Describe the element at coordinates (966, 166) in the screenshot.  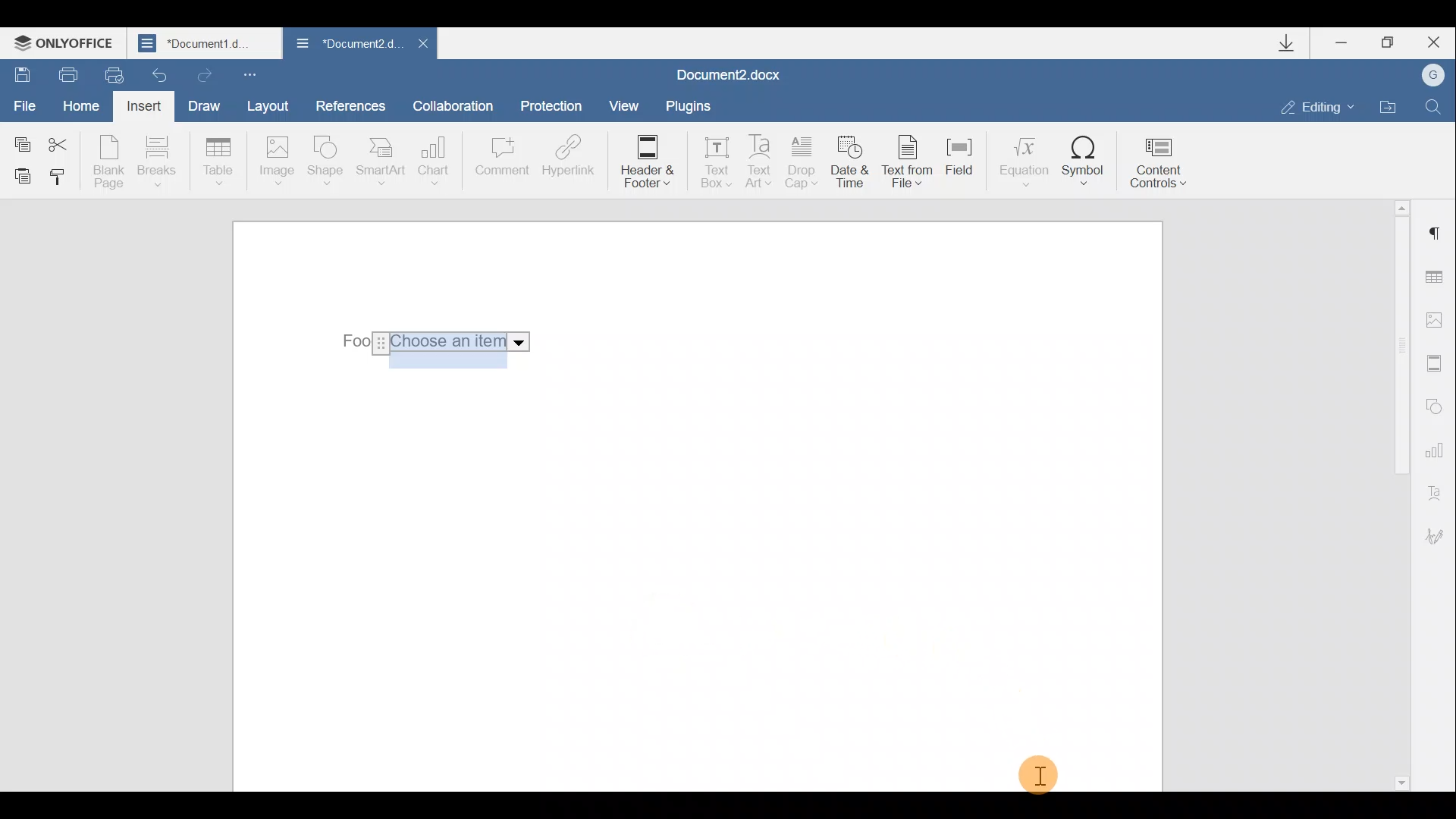
I see `Field` at that location.